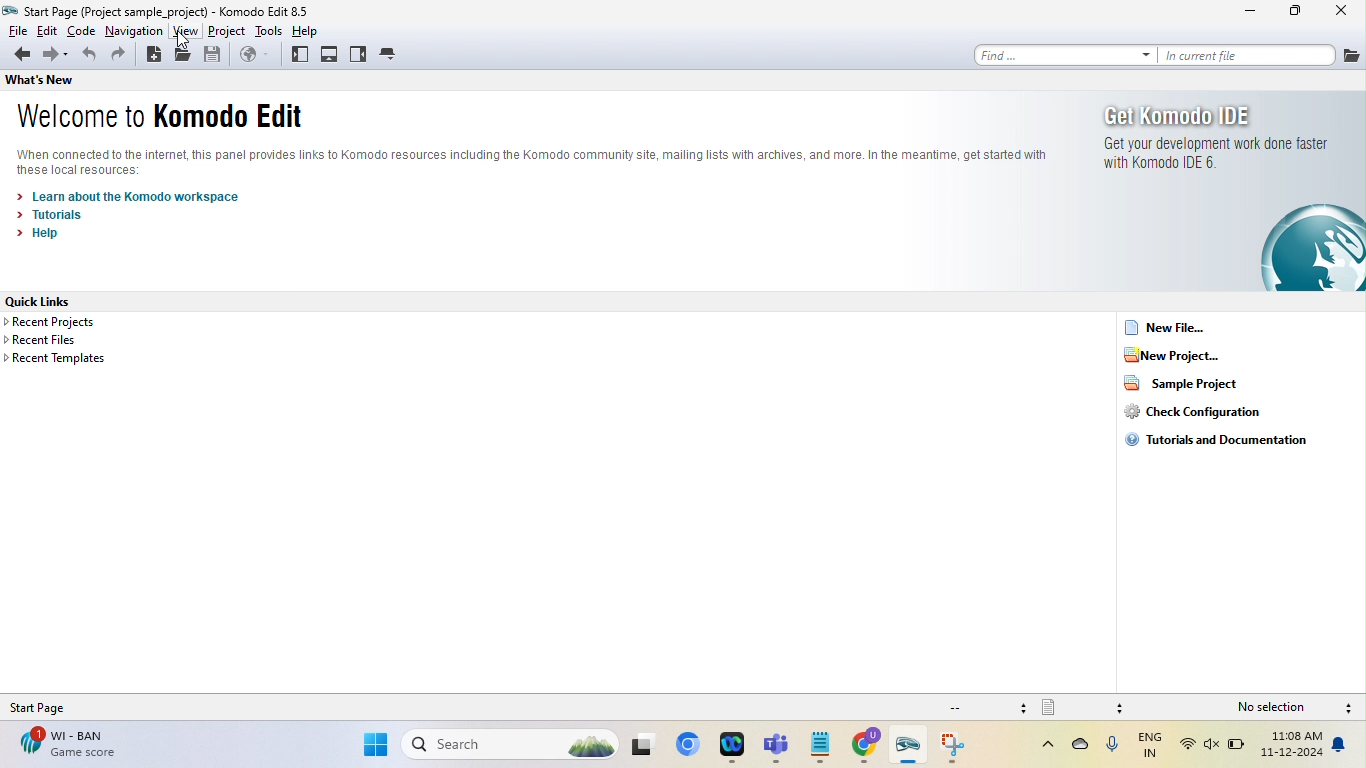 The height and width of the screenshot is (768, 1366). Describe the element at coordinates (59, 214) in the screenshot. I see `tutorials` at that location.